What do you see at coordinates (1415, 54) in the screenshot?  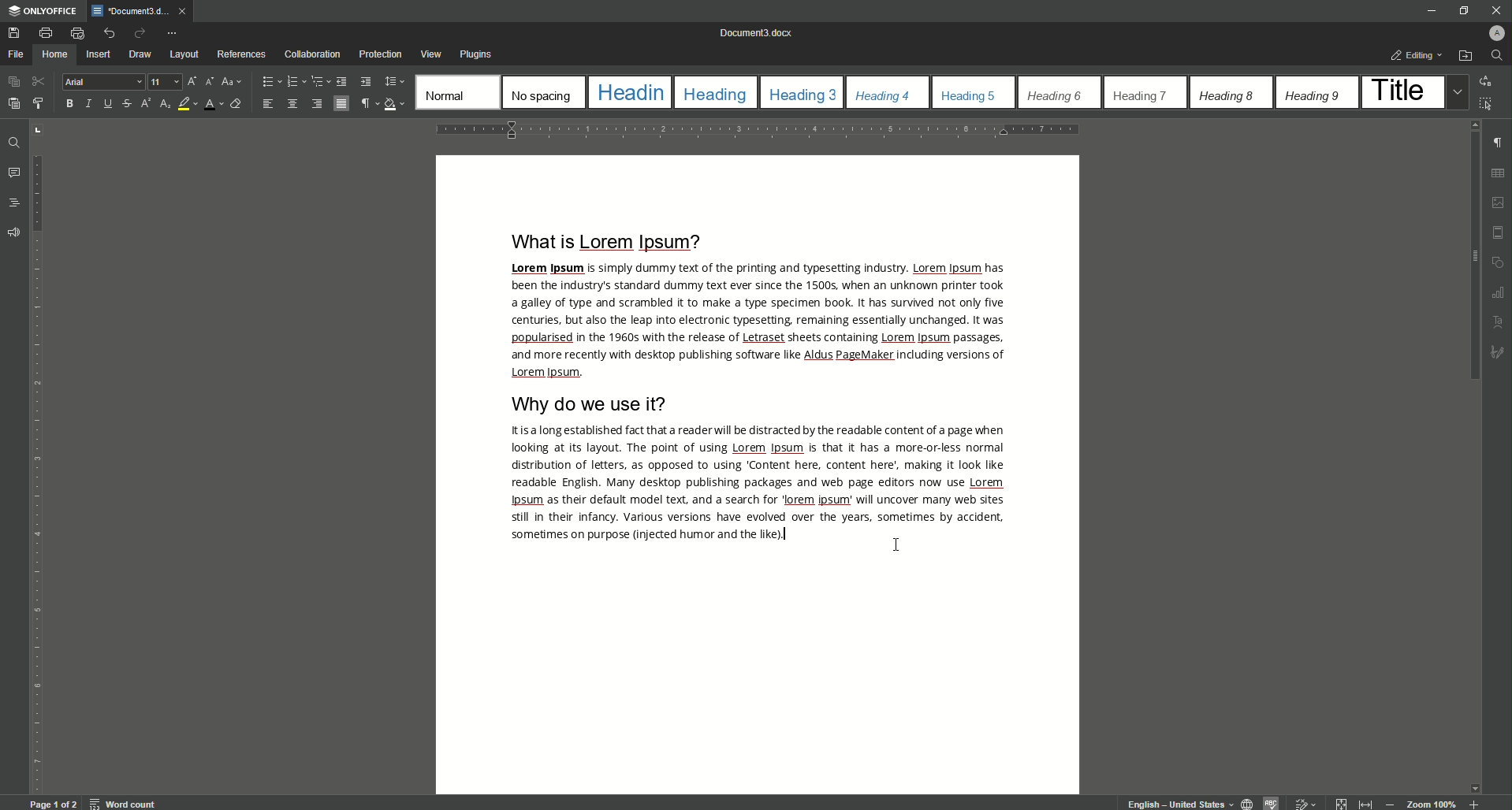 I see `Editing` at bounding box center [1415, 54].